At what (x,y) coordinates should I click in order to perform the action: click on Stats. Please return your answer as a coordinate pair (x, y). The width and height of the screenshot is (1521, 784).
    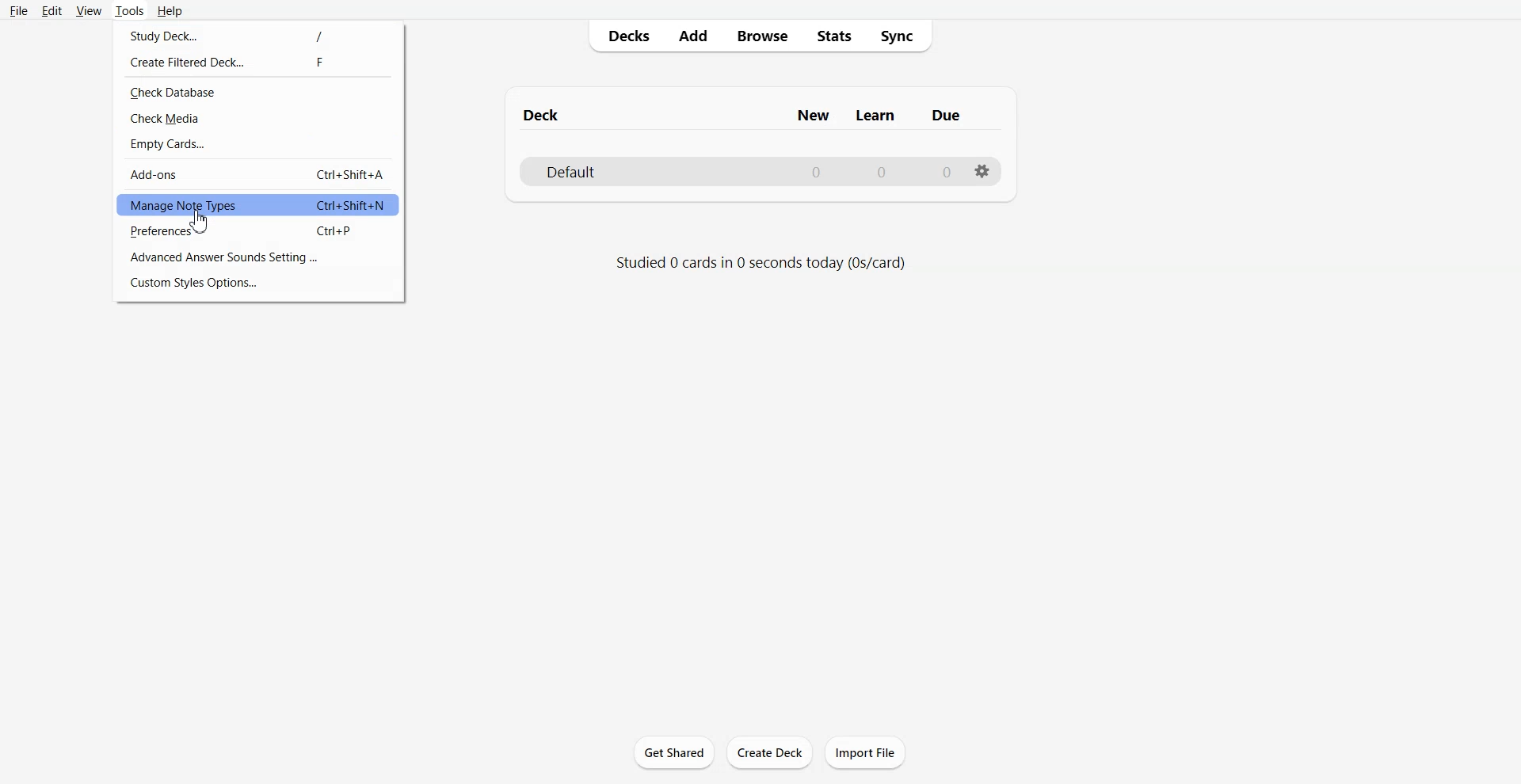
    Looking at the image, I should click on (833, 36).